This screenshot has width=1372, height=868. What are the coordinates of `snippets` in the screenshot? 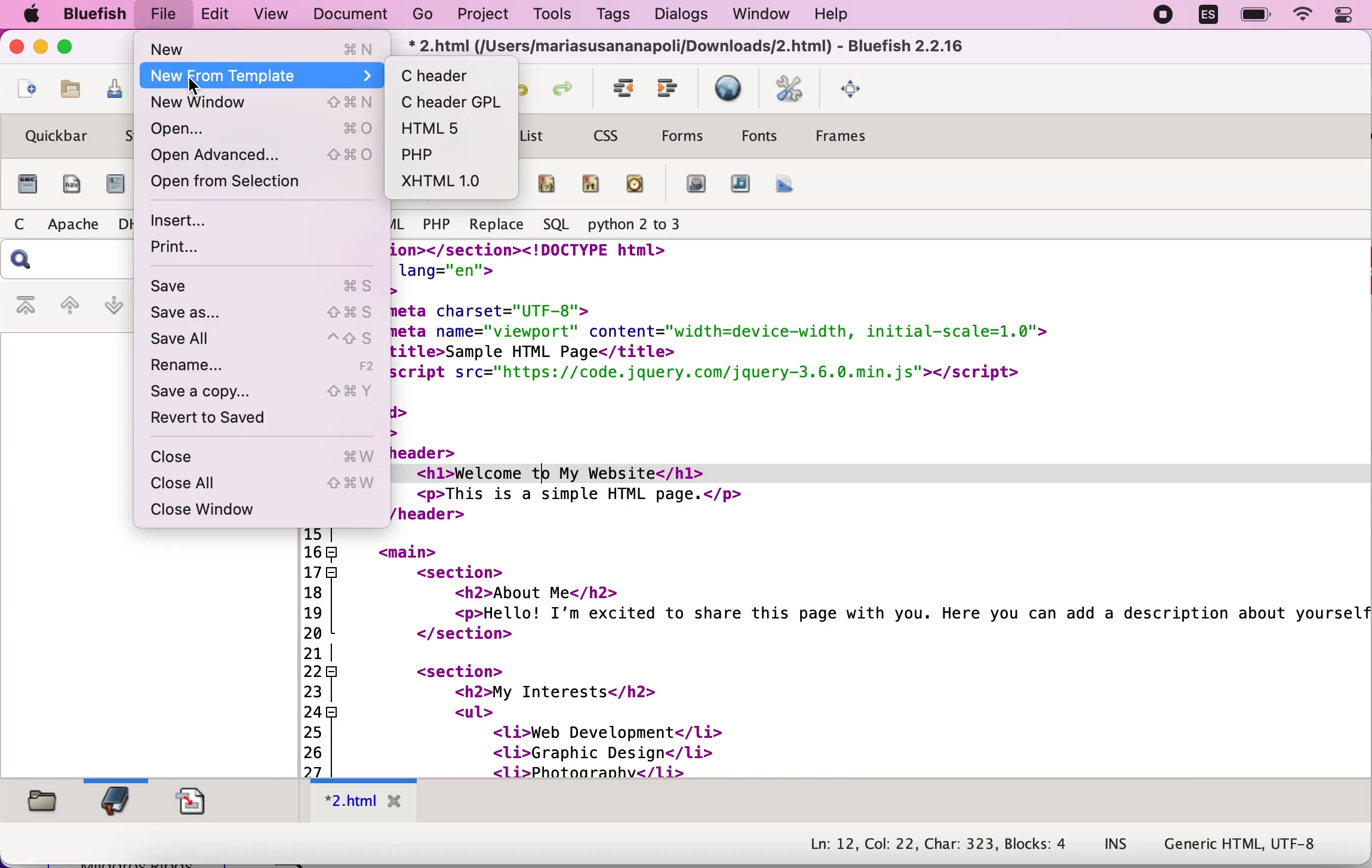 It's located at (200, 802).